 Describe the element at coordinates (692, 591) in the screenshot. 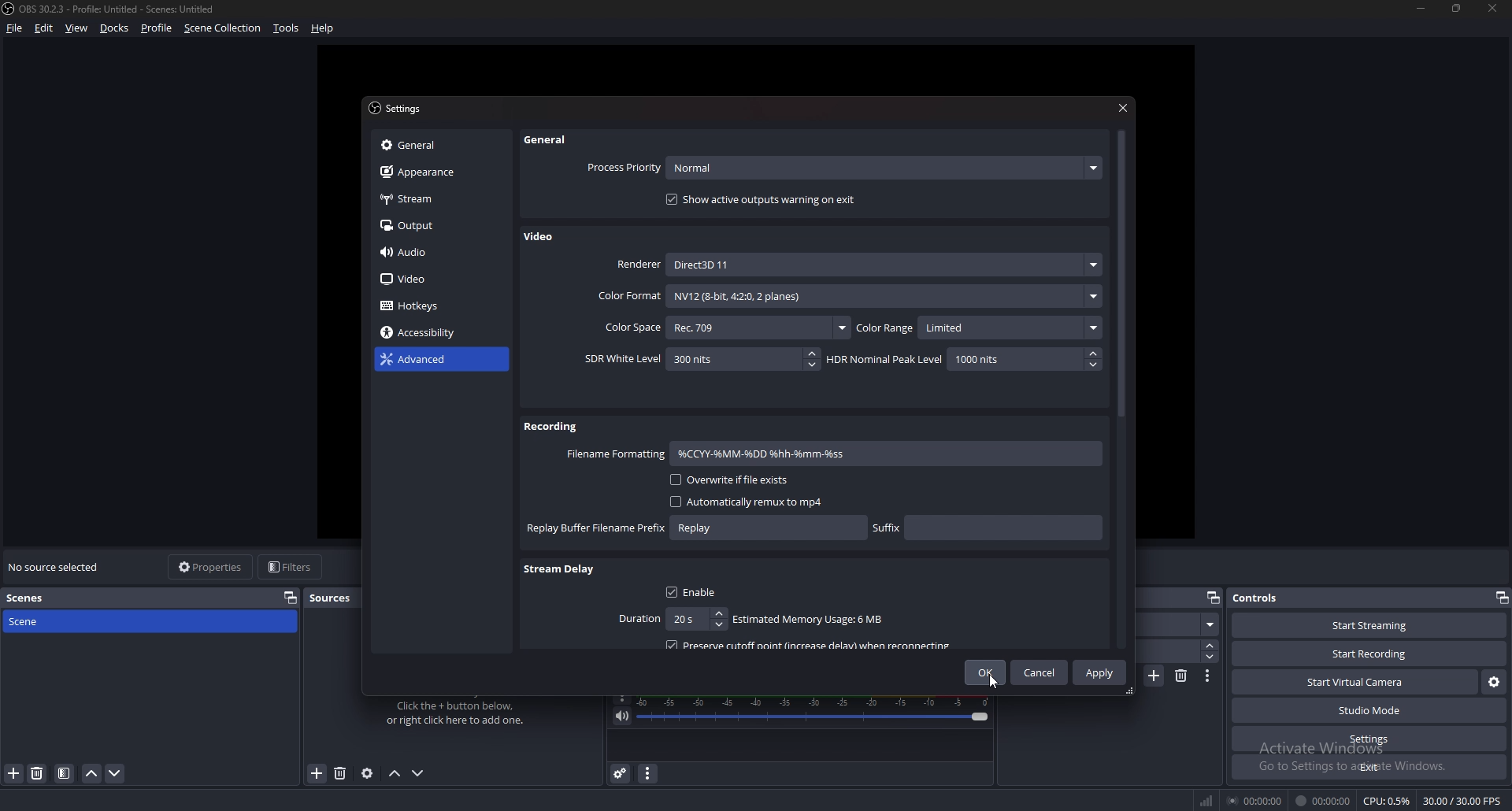

I see `enable` at that location.